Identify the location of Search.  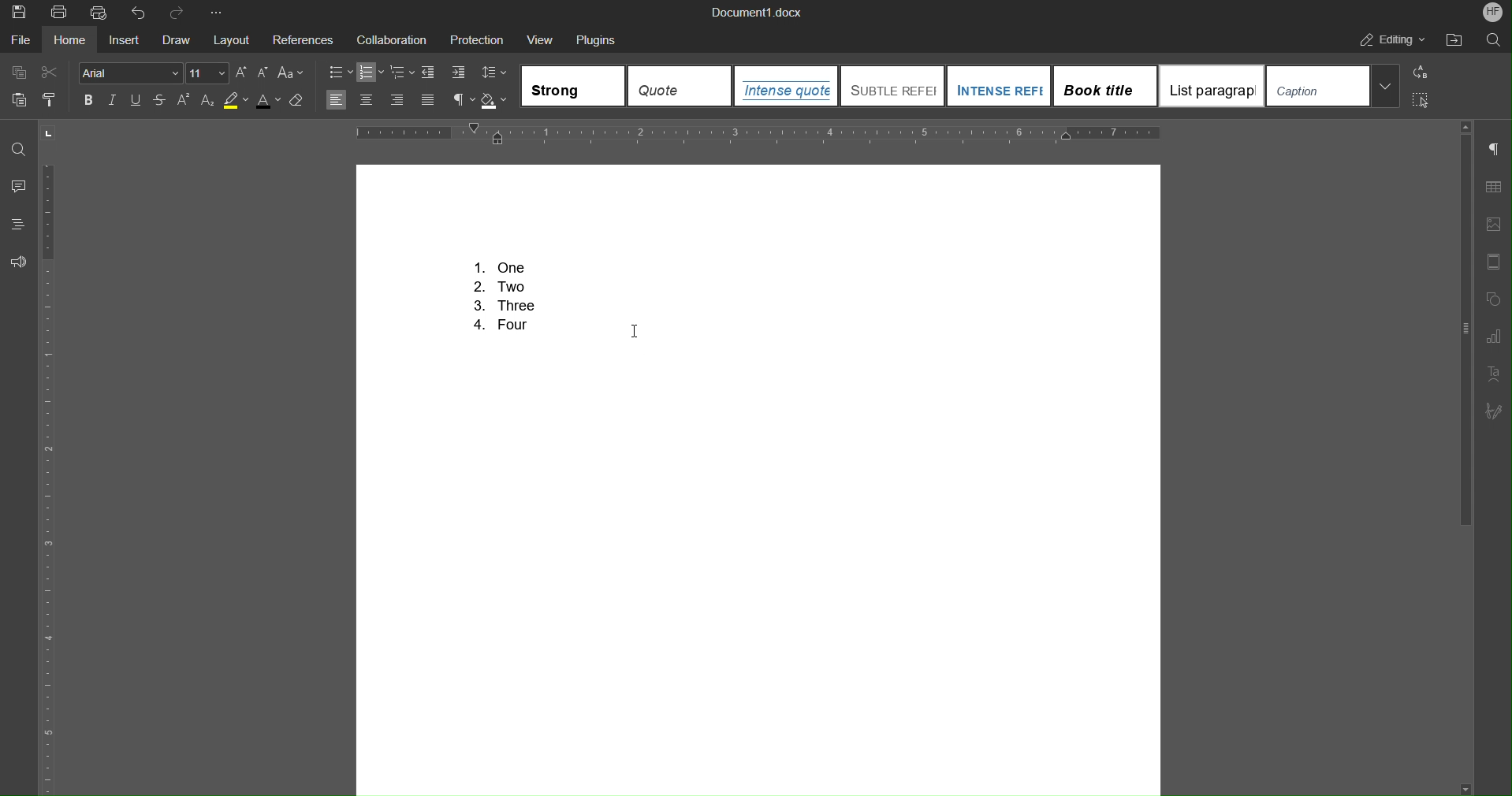
(1489, 38).